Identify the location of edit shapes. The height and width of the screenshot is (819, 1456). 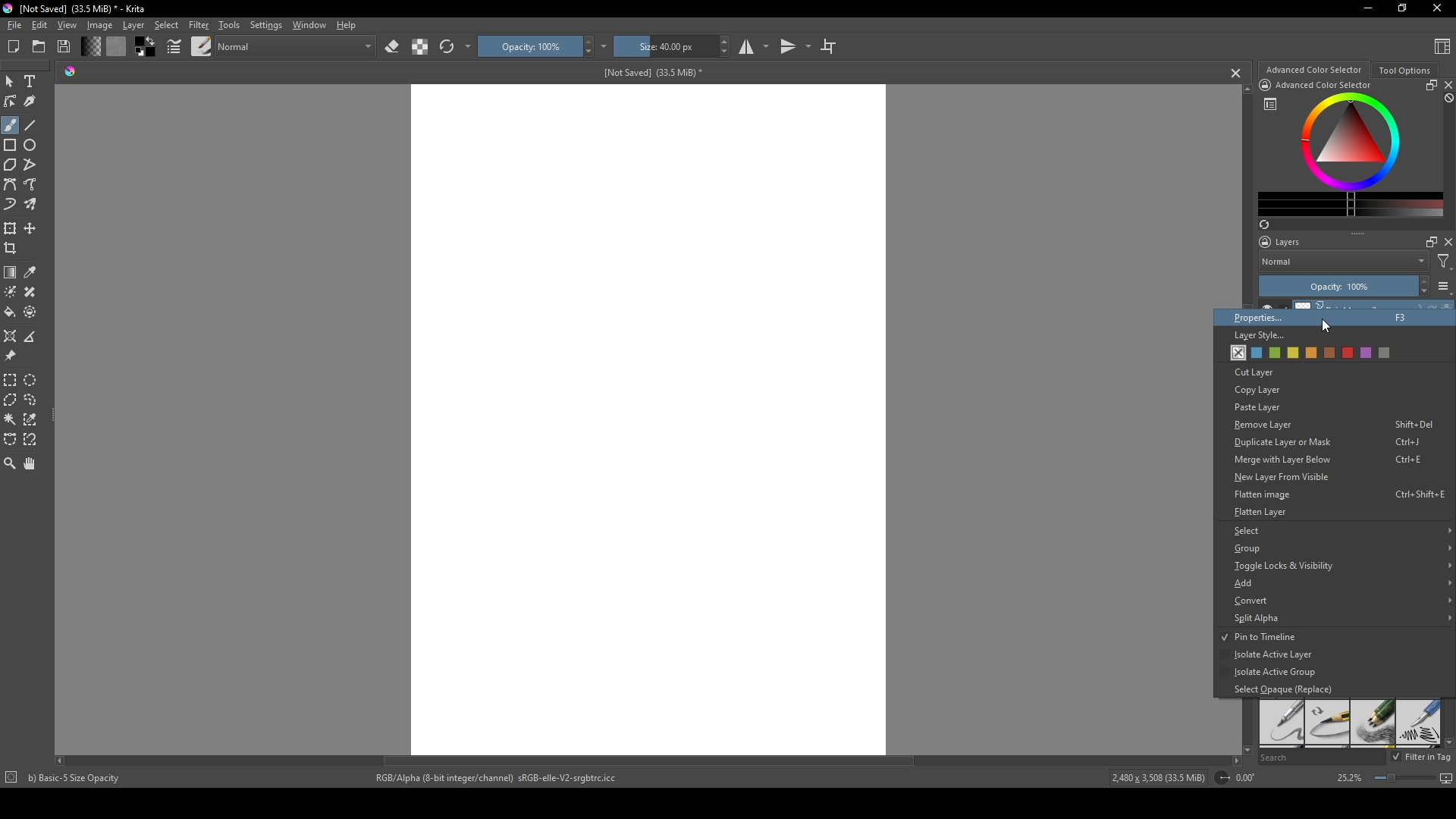
(11, 102).